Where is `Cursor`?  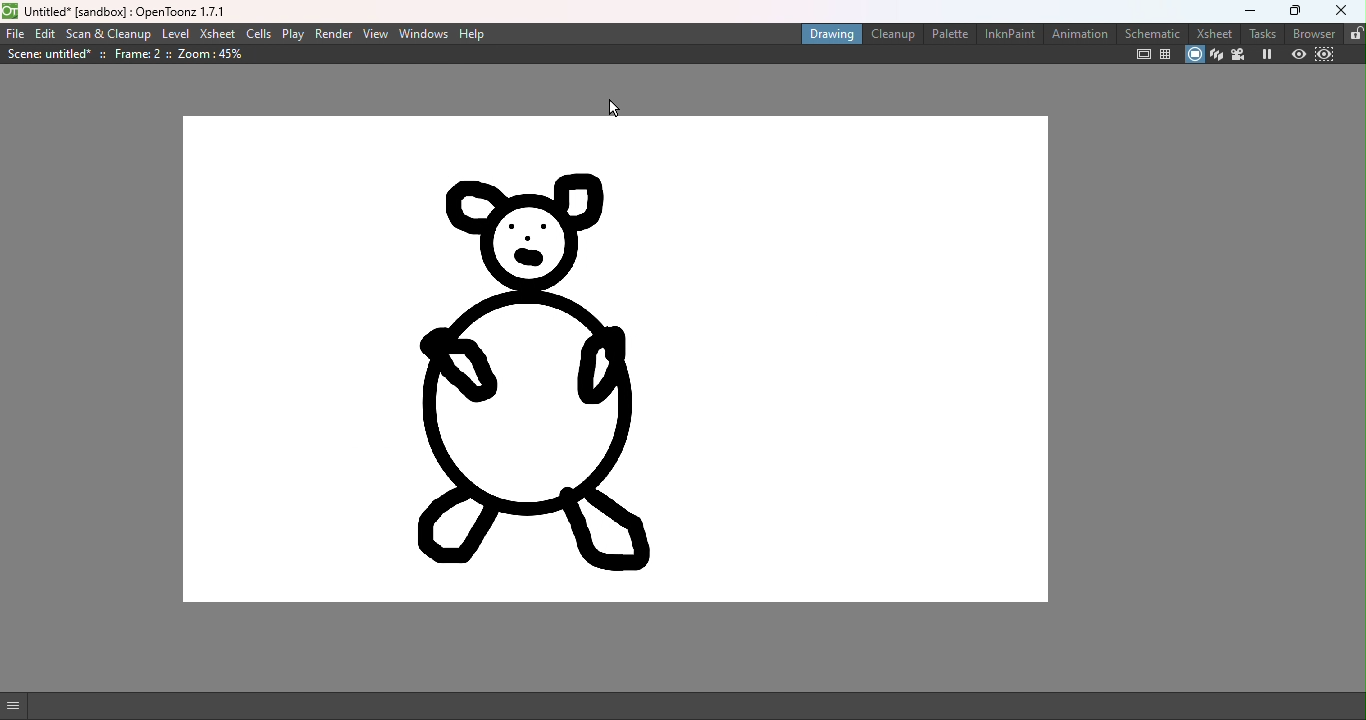 Cursor is located at coordinates (613, 108).